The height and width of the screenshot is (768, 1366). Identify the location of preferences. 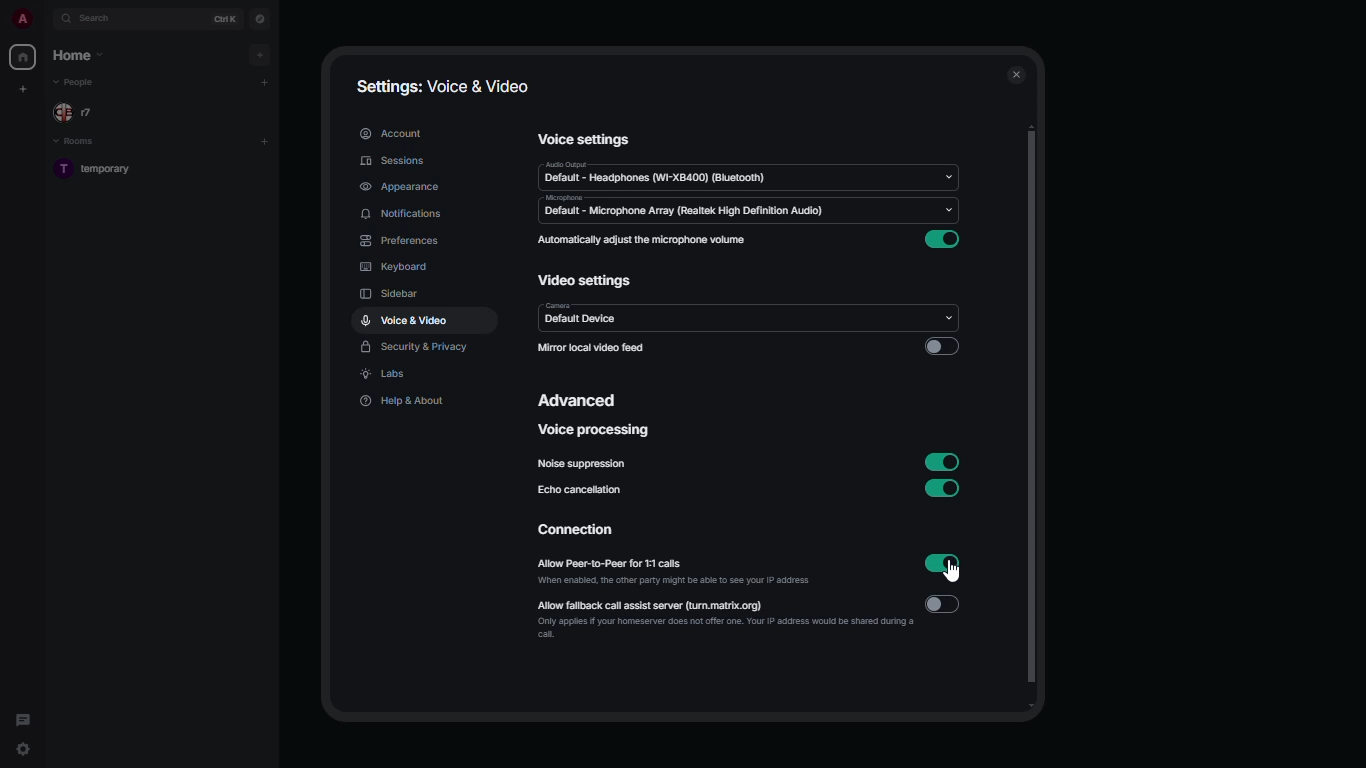
(400, 240).